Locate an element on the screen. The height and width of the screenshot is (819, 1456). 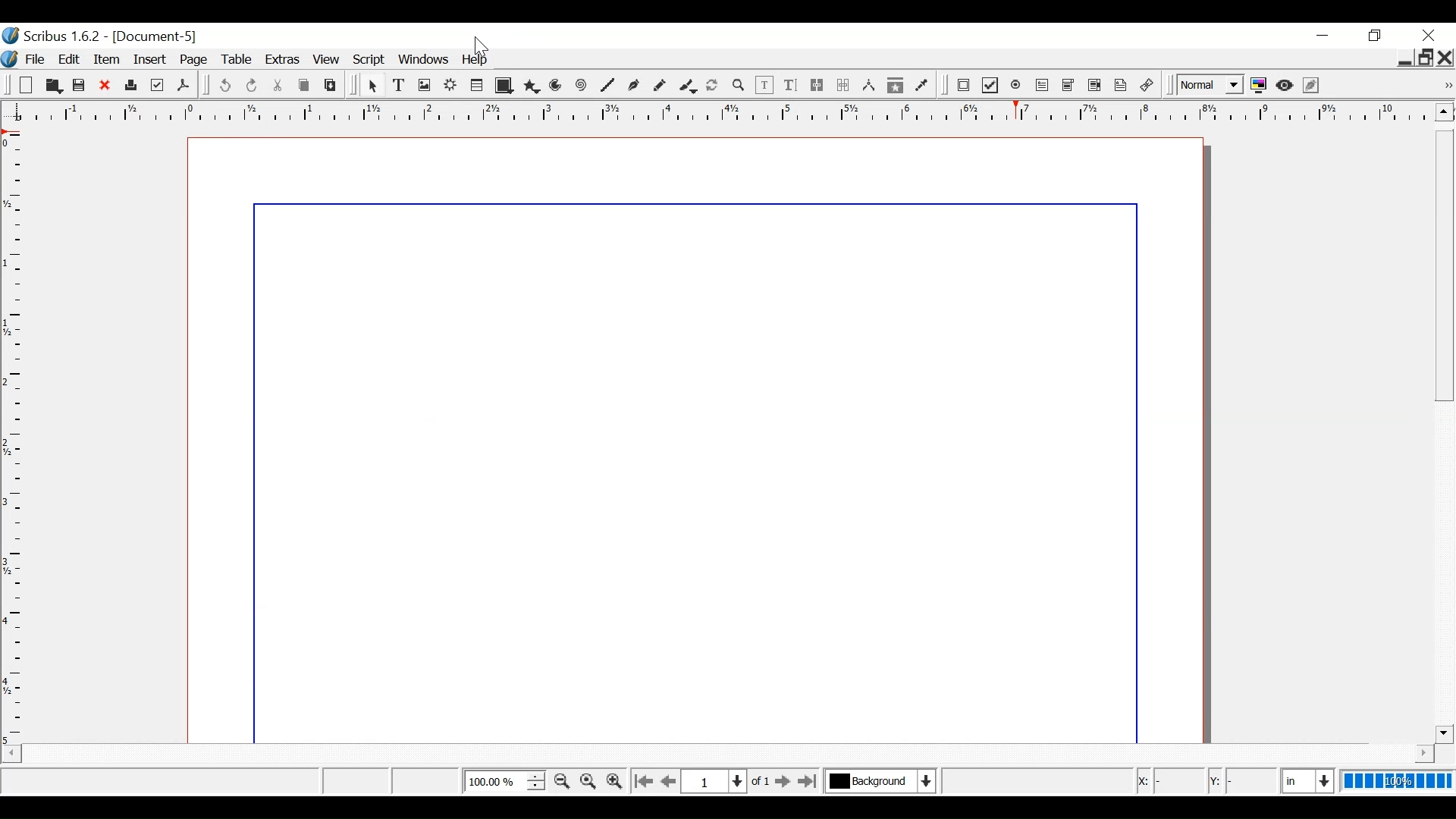
Redo is located at coordinates (253, 86).